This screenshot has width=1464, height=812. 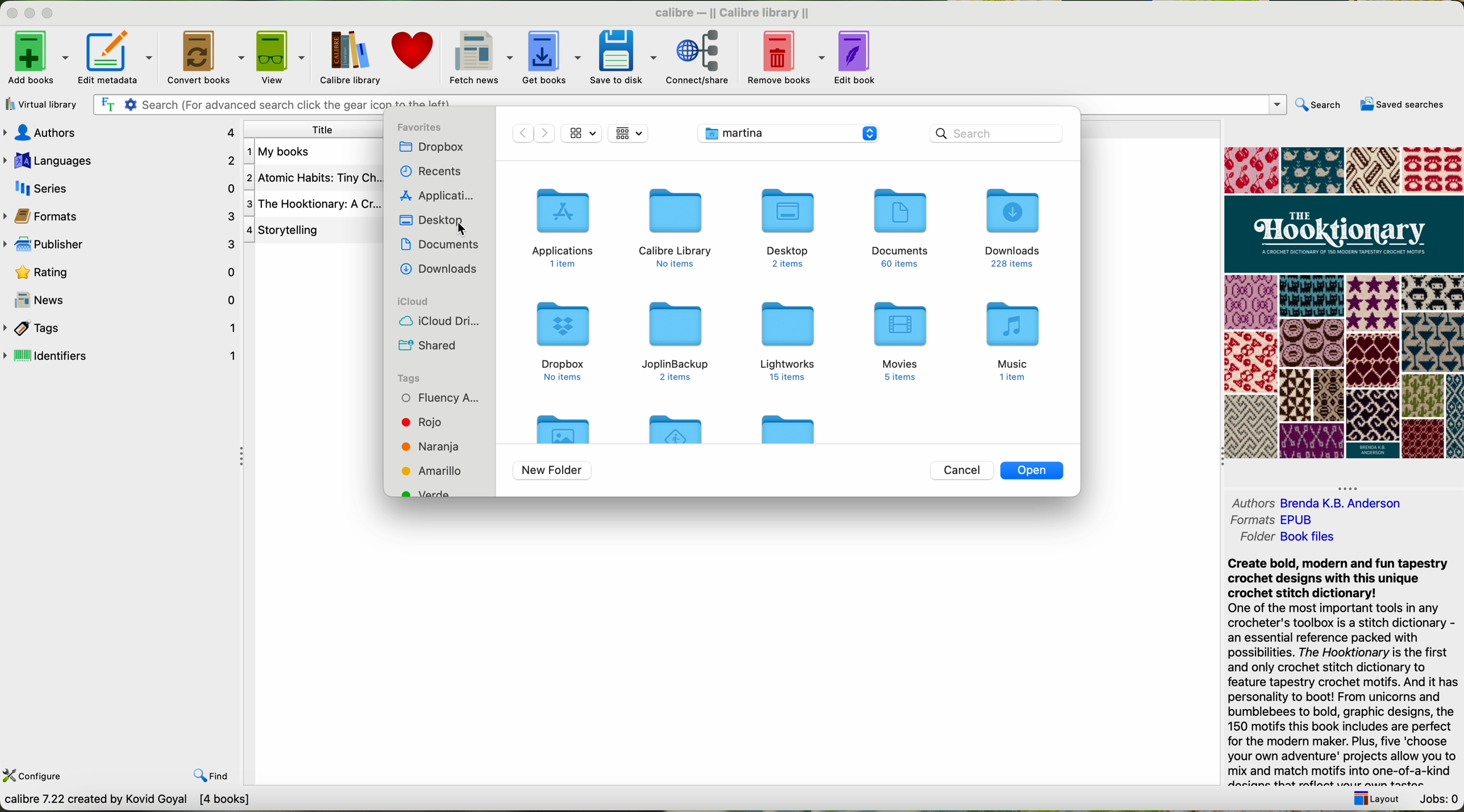 What do you see at coordinates (1350, 488) in the screenshot?
I see `Collapse` at bounding box center [1350, 488].